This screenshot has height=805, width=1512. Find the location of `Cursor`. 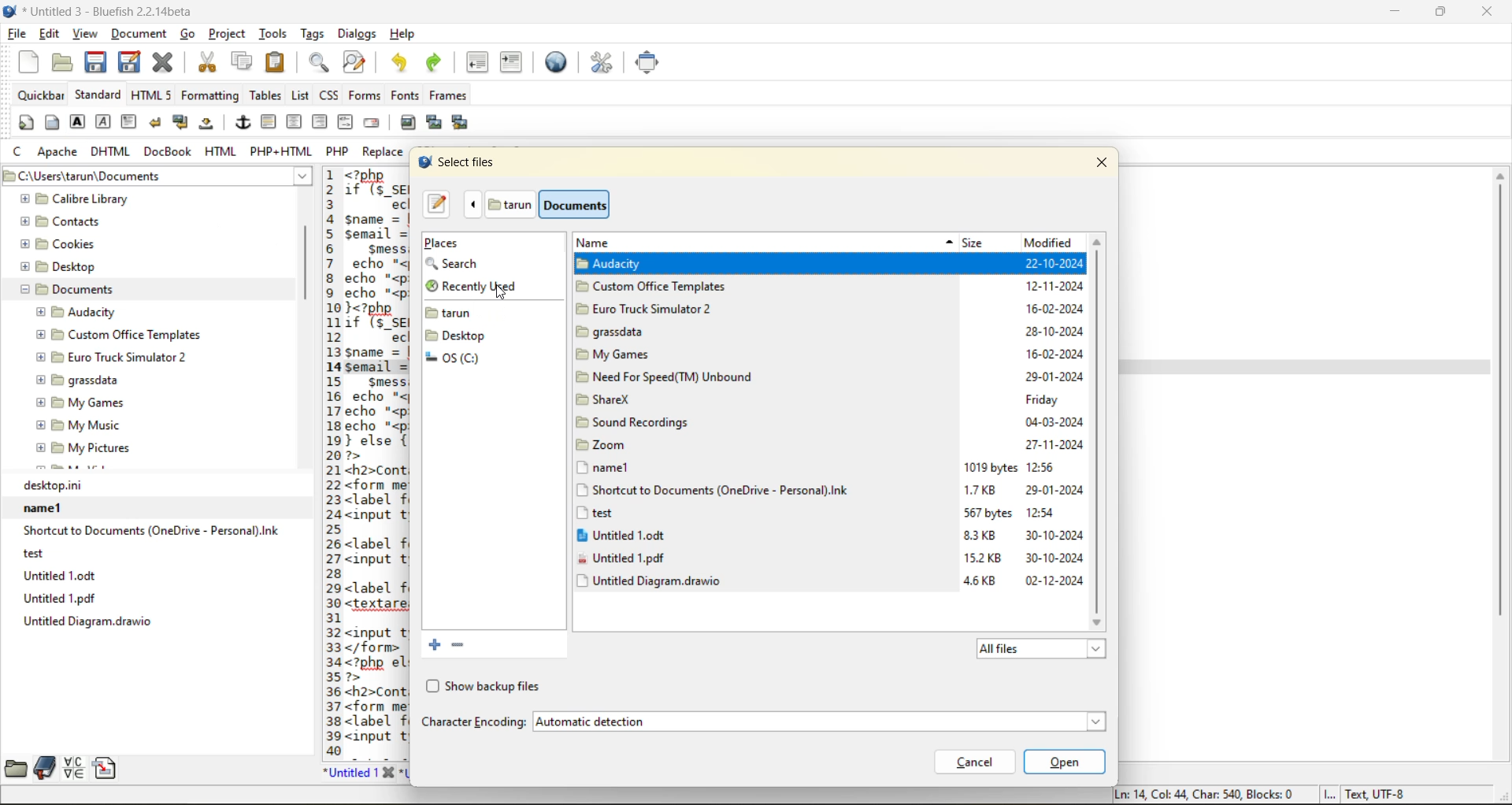

Cursor is located at coordinates (500, 293).